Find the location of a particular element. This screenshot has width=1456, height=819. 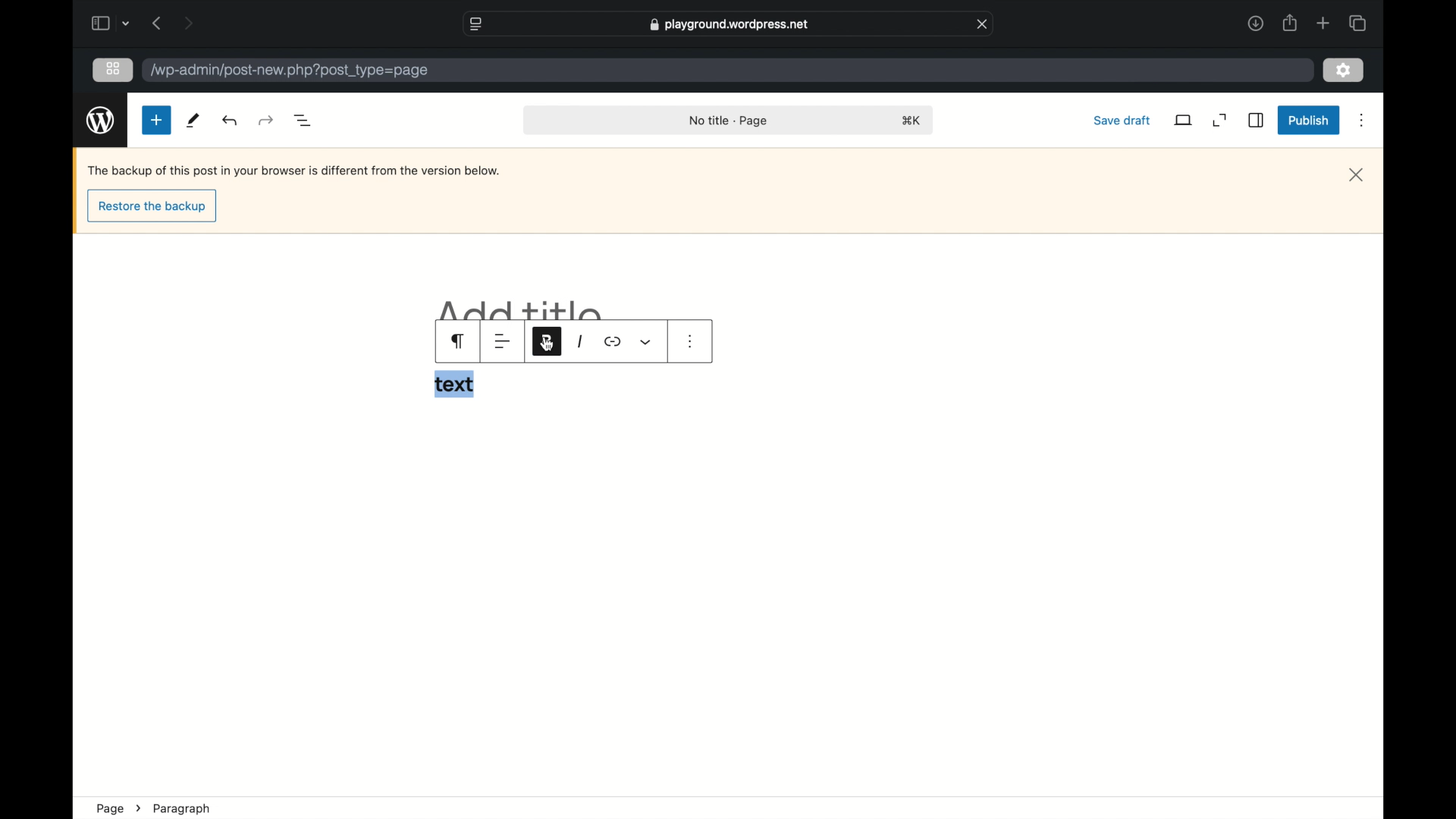

more options is located at coordinates (1363, 121).